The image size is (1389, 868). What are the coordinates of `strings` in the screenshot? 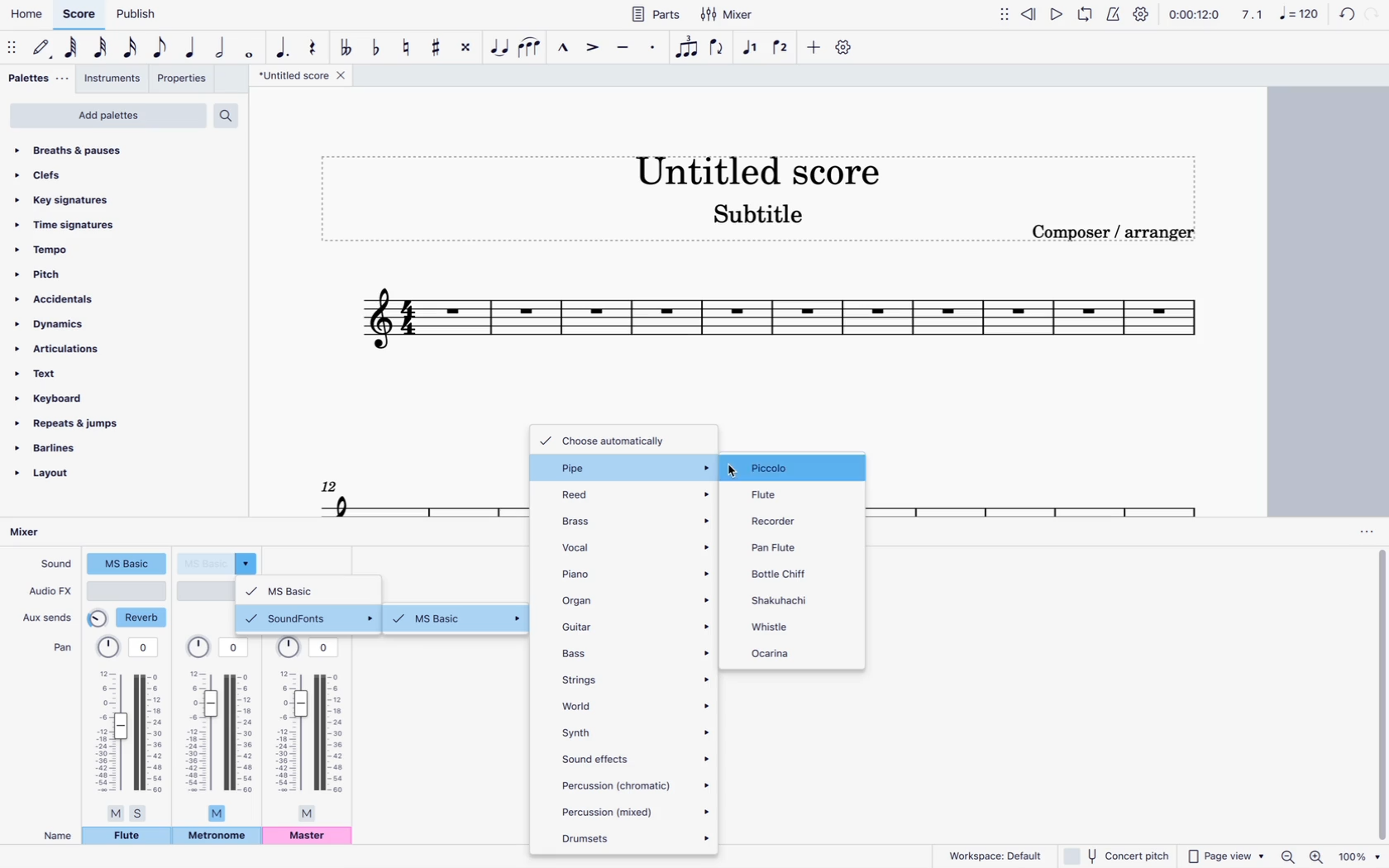 It's located at (633, 676).